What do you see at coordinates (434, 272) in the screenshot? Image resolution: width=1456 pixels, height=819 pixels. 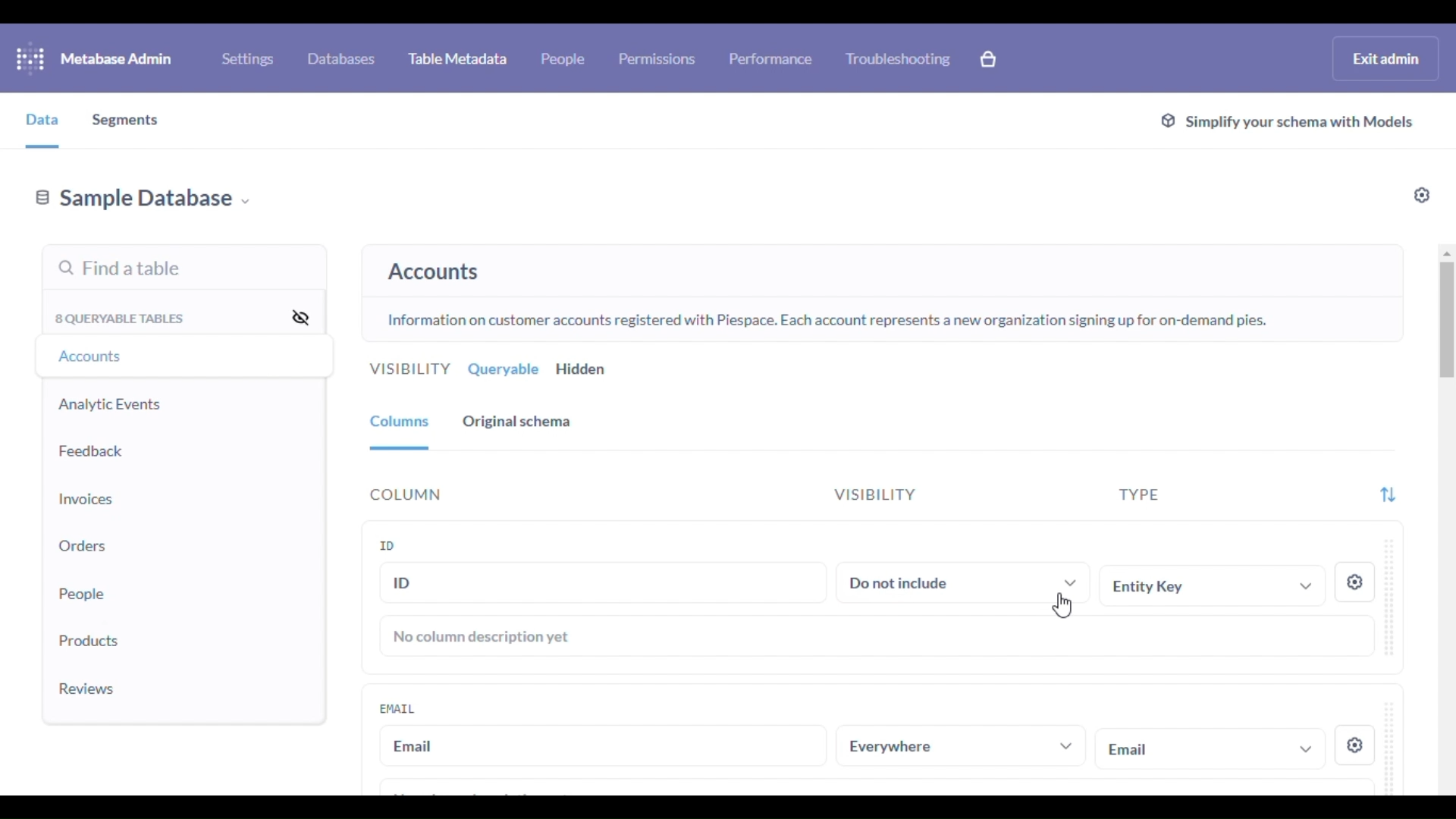 I see `accounts` at bounding box center [434, 272].